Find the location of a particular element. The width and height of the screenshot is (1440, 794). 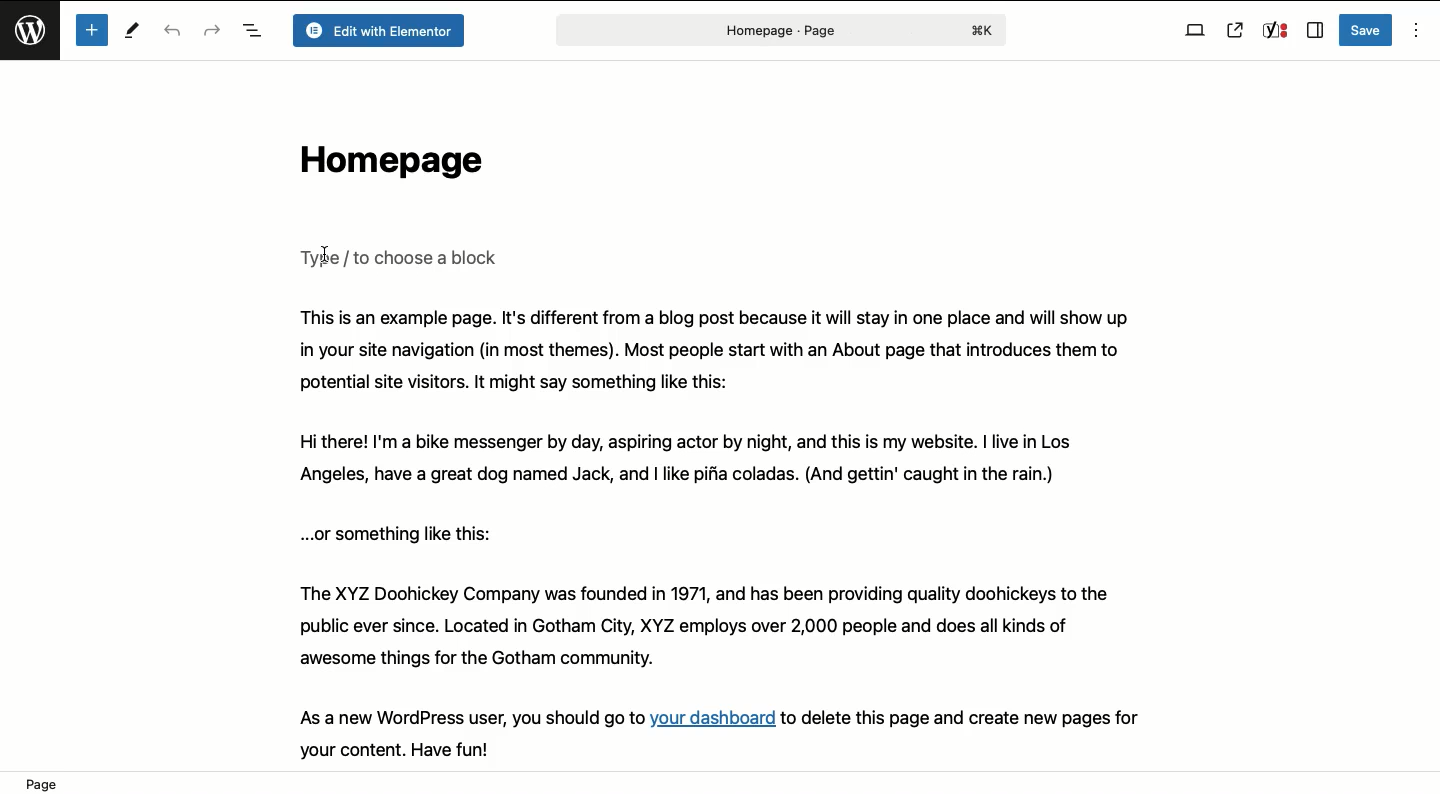

Page is located at coordinates (778, 30).